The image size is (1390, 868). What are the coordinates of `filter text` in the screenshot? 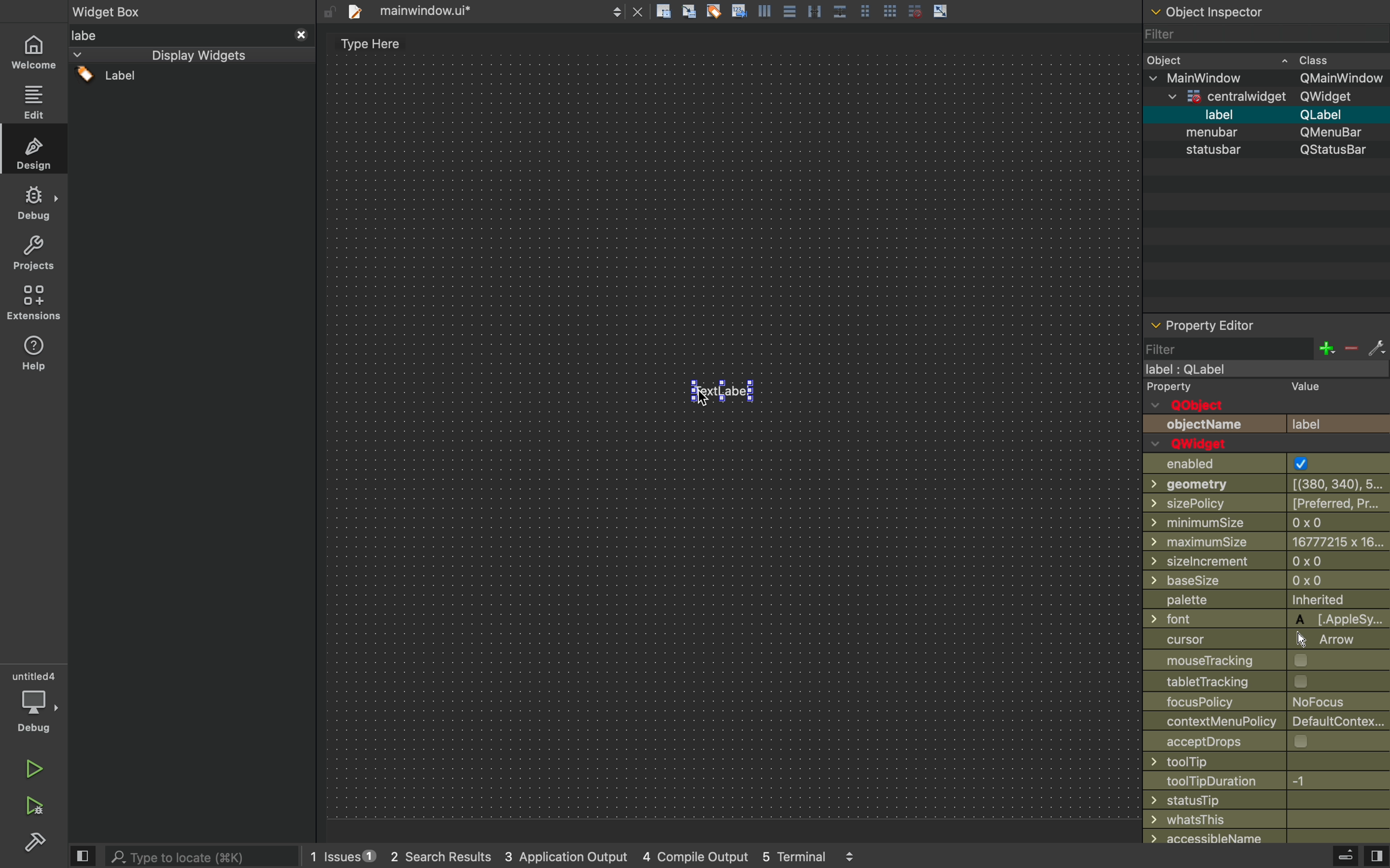 It's located at (192, 35).